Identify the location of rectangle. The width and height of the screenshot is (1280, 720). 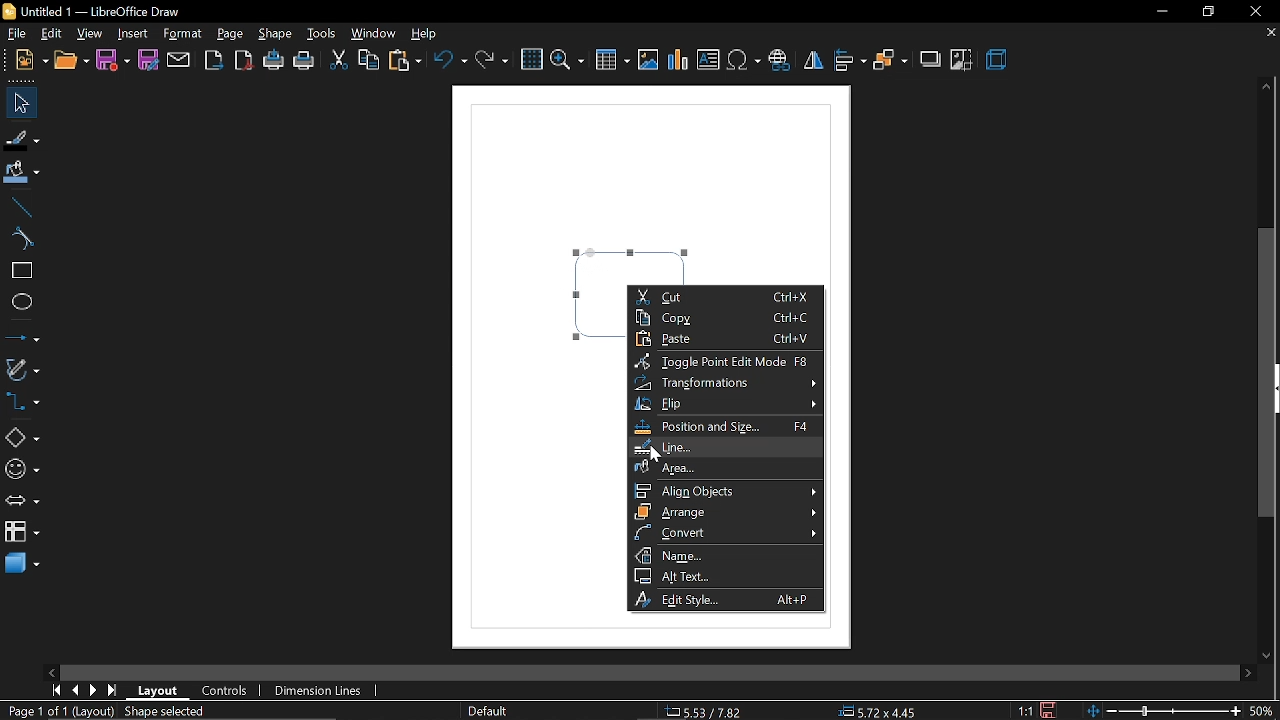
(23, 270).